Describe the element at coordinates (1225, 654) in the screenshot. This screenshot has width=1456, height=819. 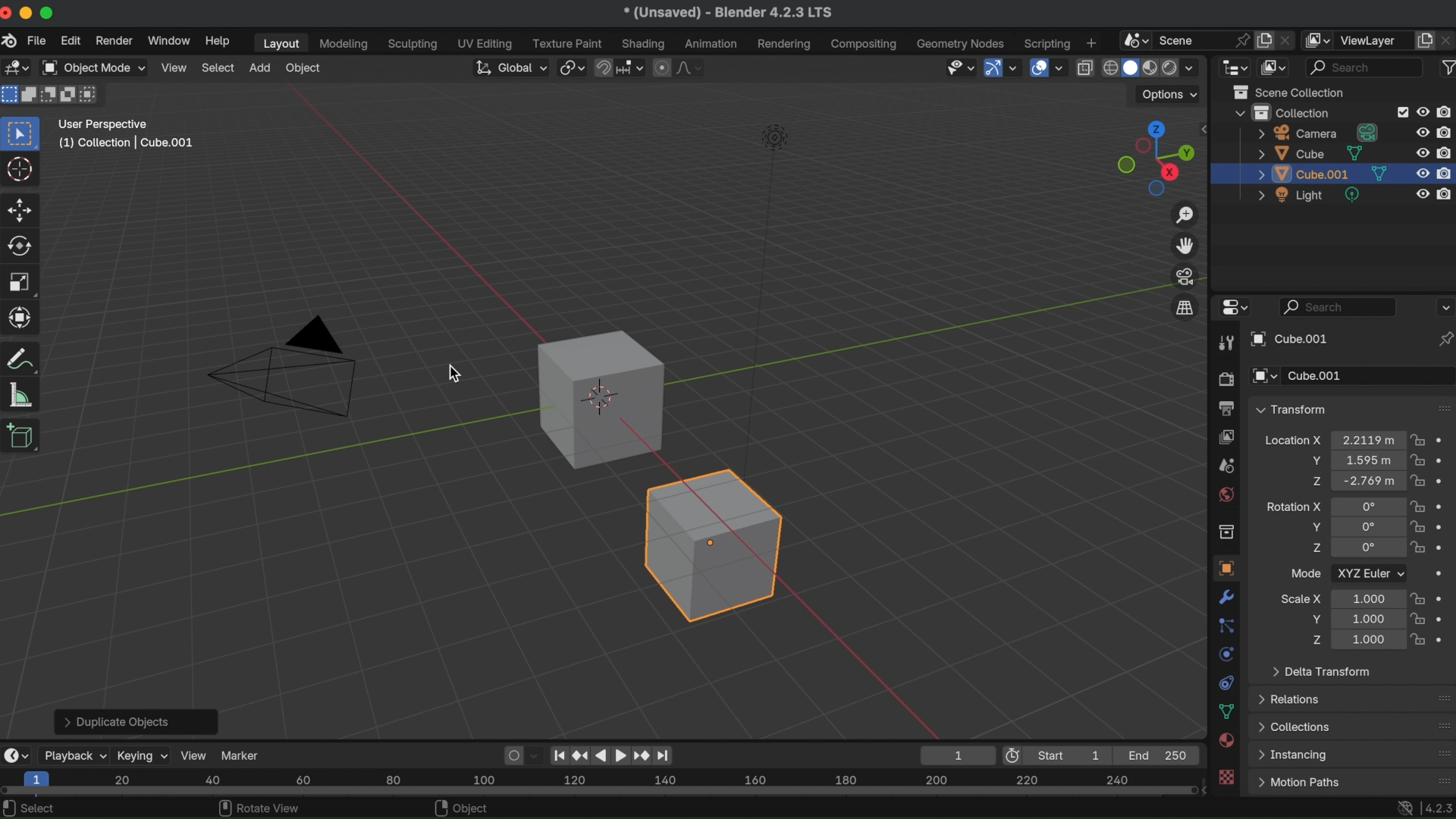
I see `physics` at that location.